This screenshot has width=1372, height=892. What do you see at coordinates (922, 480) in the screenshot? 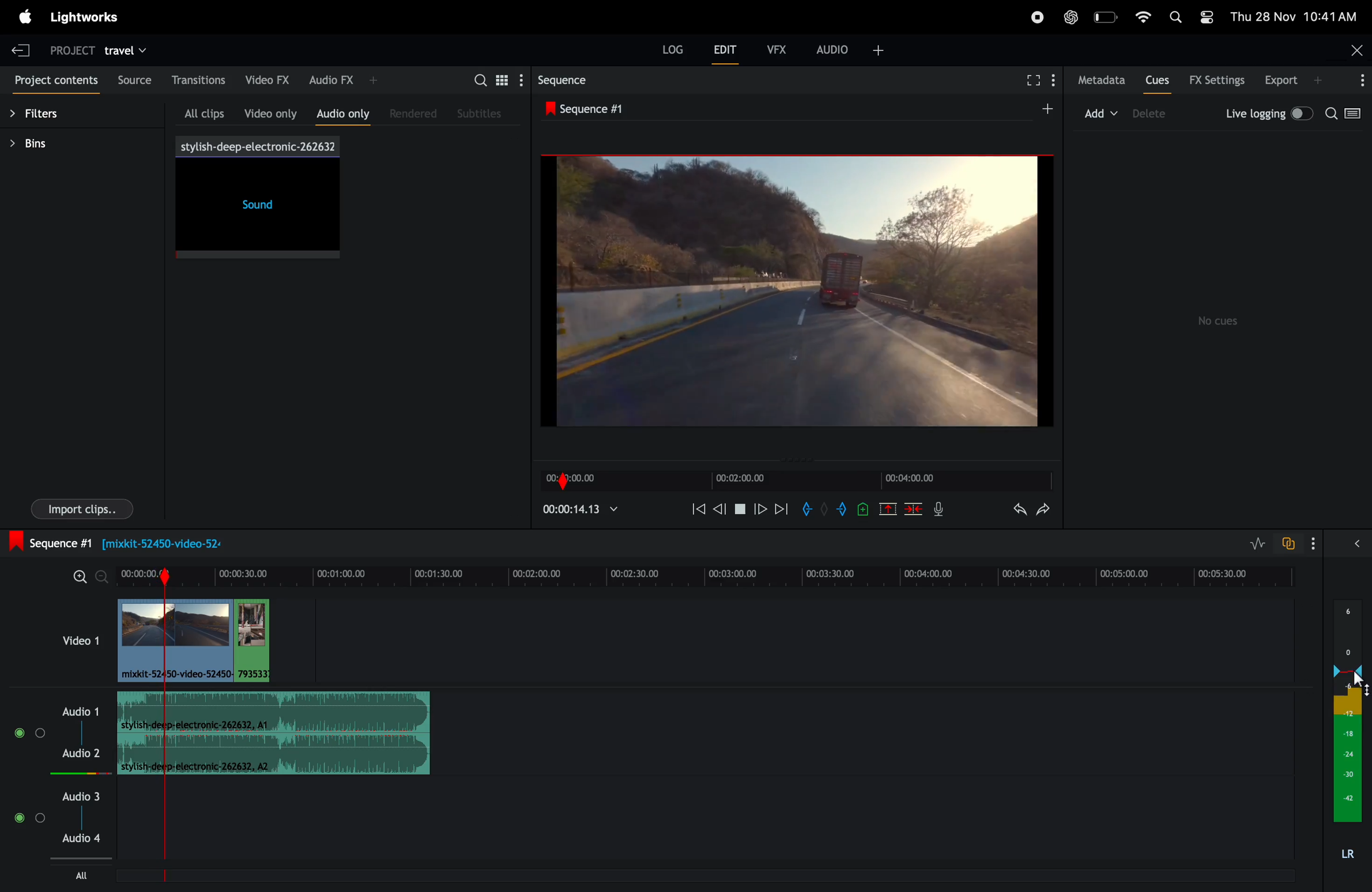
I see `frame time` at bounding box center [922, 480].